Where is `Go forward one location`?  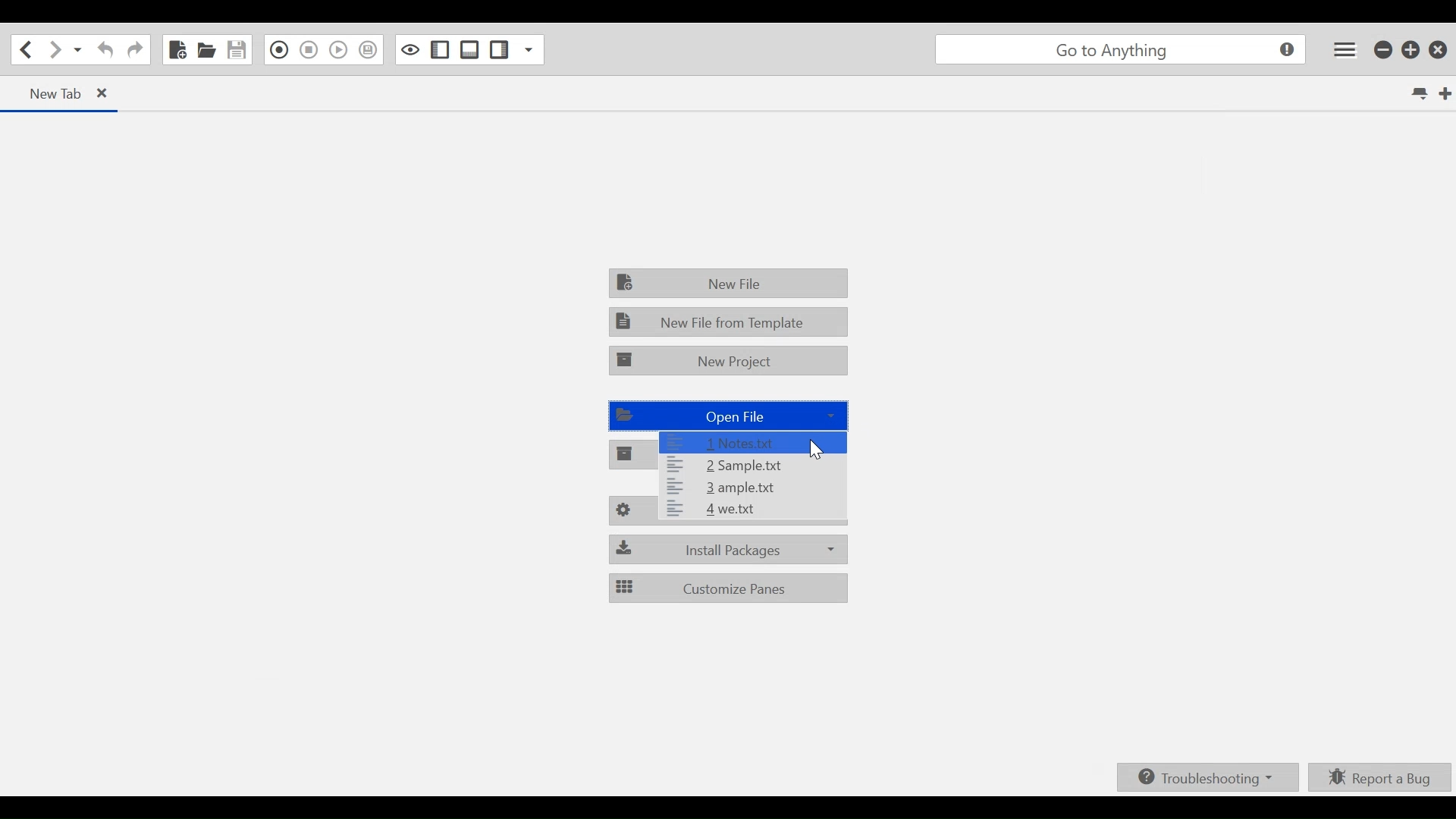
Go forward one location is located at coordinates (56, 49).